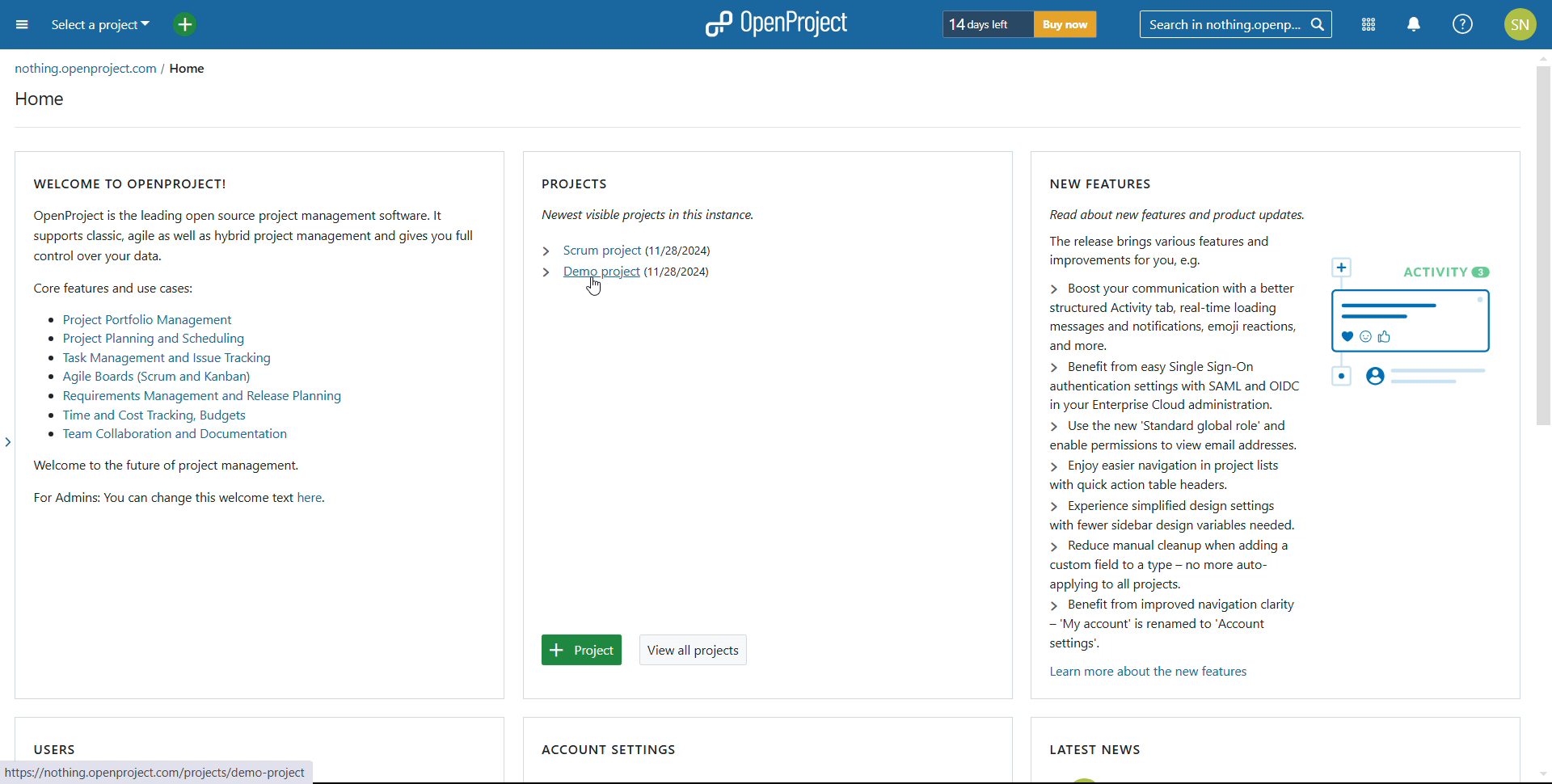 Image resolution: width=1552 pixels, height=784 pixels. What do you see at coordinates (40, 99) in the screenshot?
I see `home` at bounding box center [40, 99].